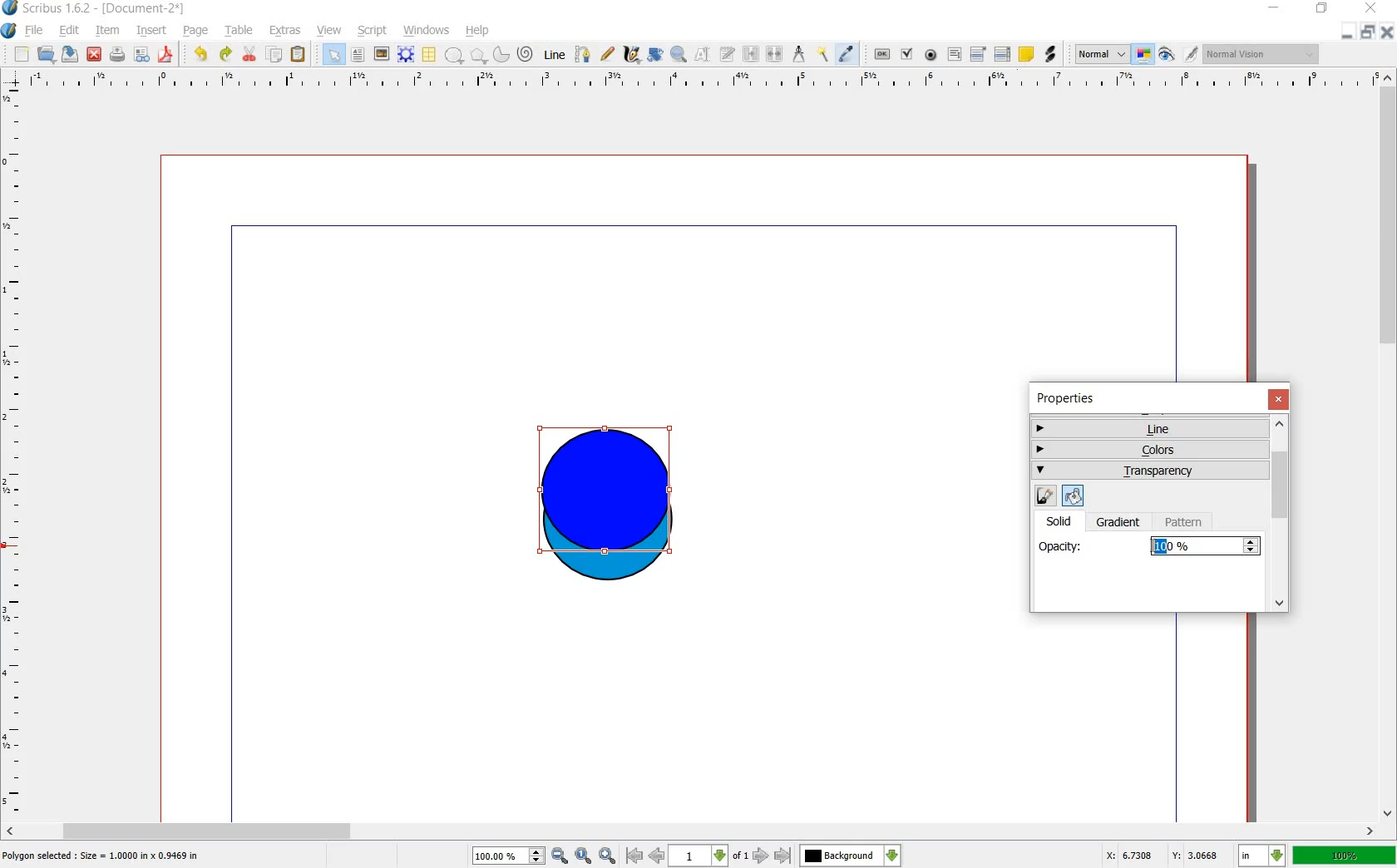 This screenshot has height=868, width=1397. I want to click on insert, so click(152, 32).